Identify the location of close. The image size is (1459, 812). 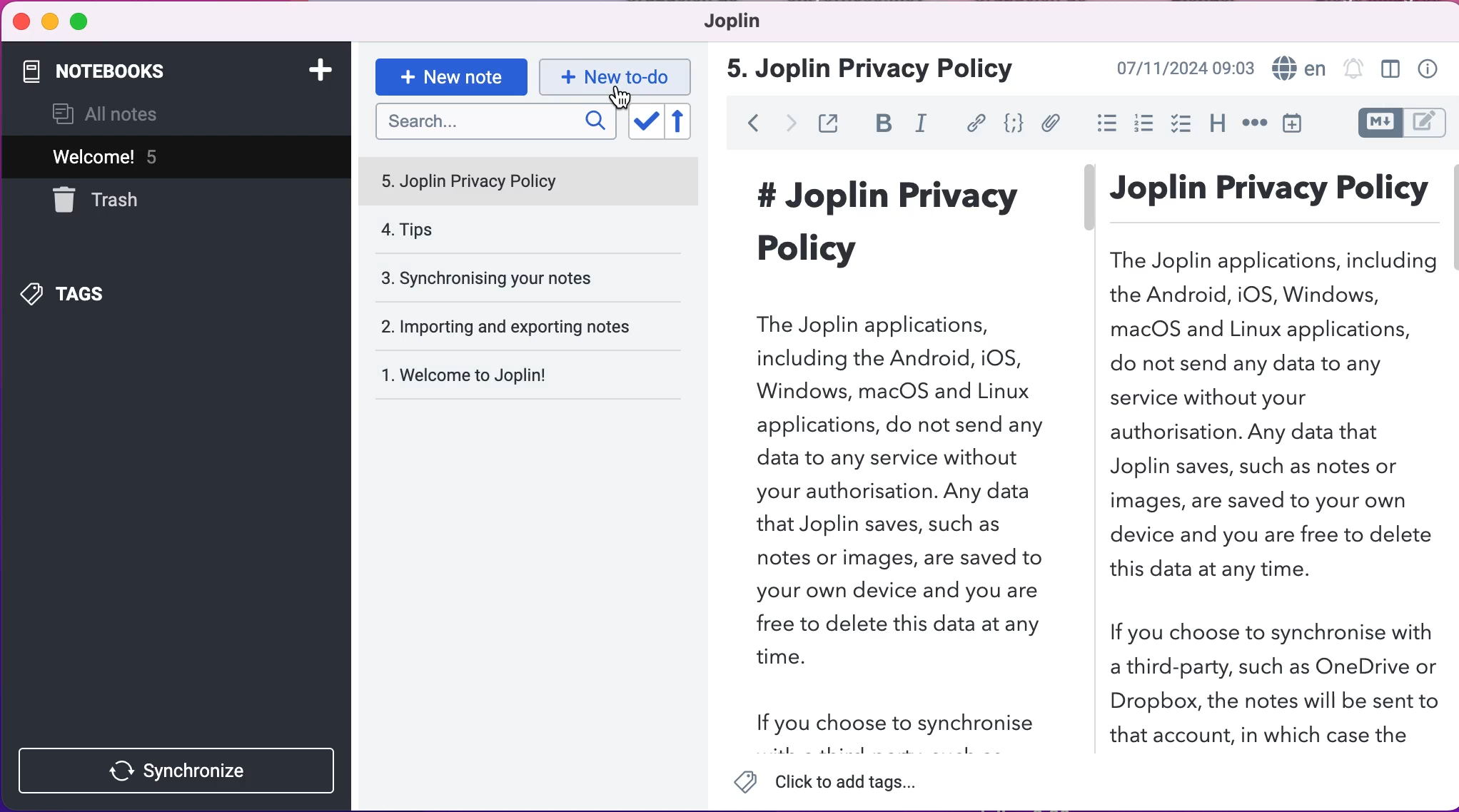
(21, 21).